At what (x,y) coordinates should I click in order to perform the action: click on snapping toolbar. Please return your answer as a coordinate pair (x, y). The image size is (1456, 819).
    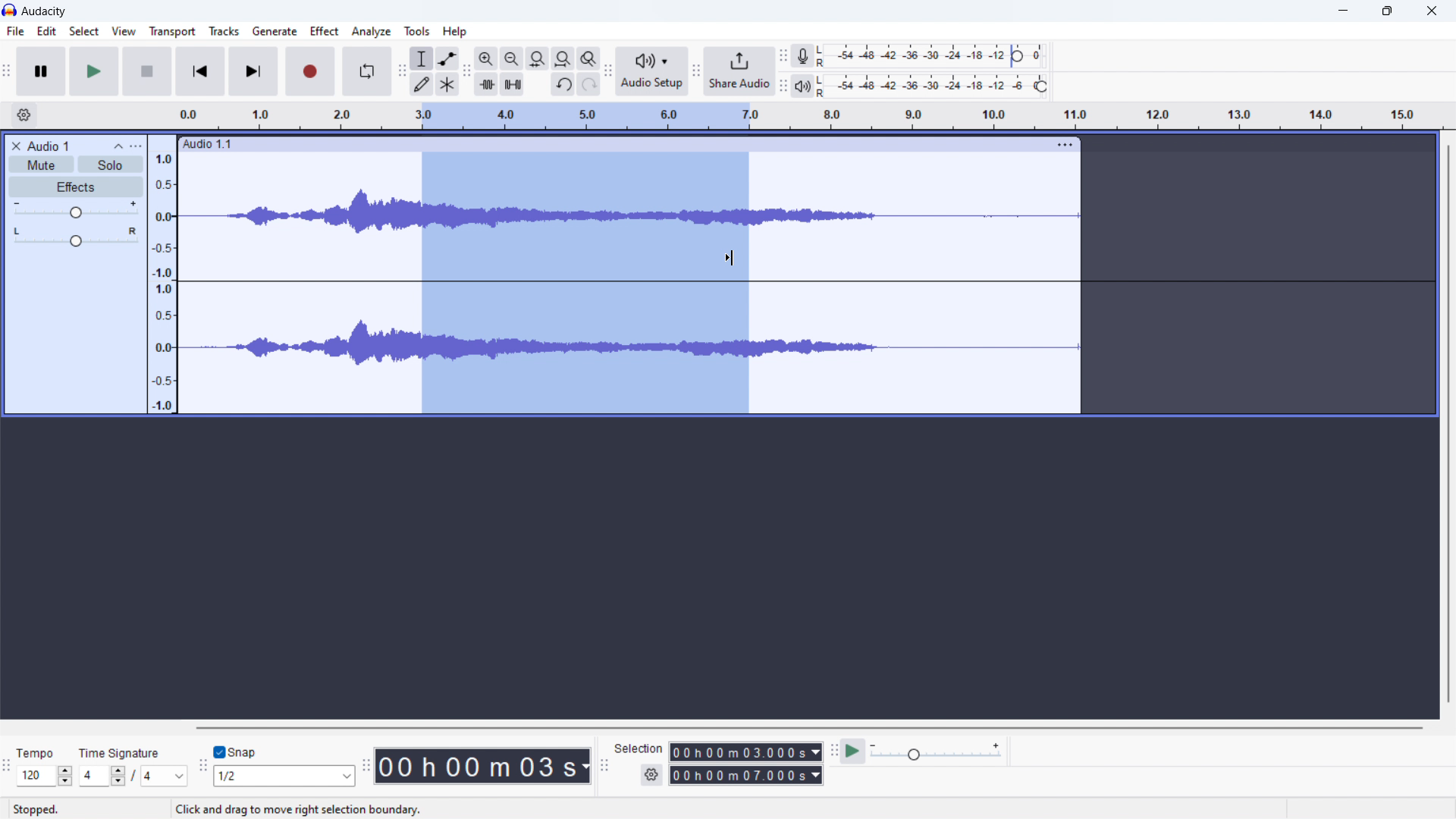
    Looking at the image, I should click on (202, 769).